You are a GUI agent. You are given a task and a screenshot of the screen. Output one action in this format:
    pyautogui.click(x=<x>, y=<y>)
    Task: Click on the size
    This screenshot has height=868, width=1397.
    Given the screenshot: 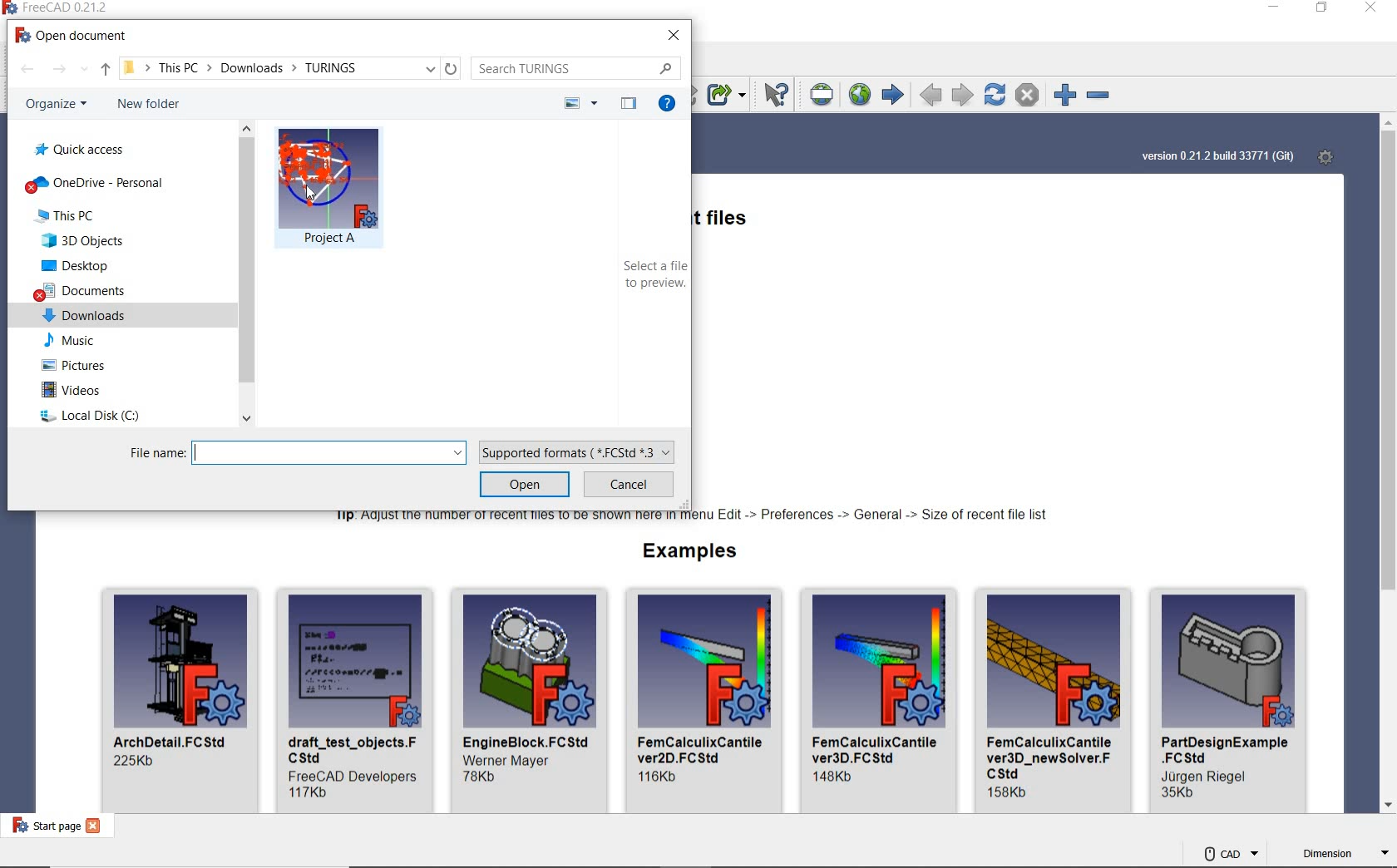 What is the action you would take?
    pyautogui.click(x=310, y=792)
    